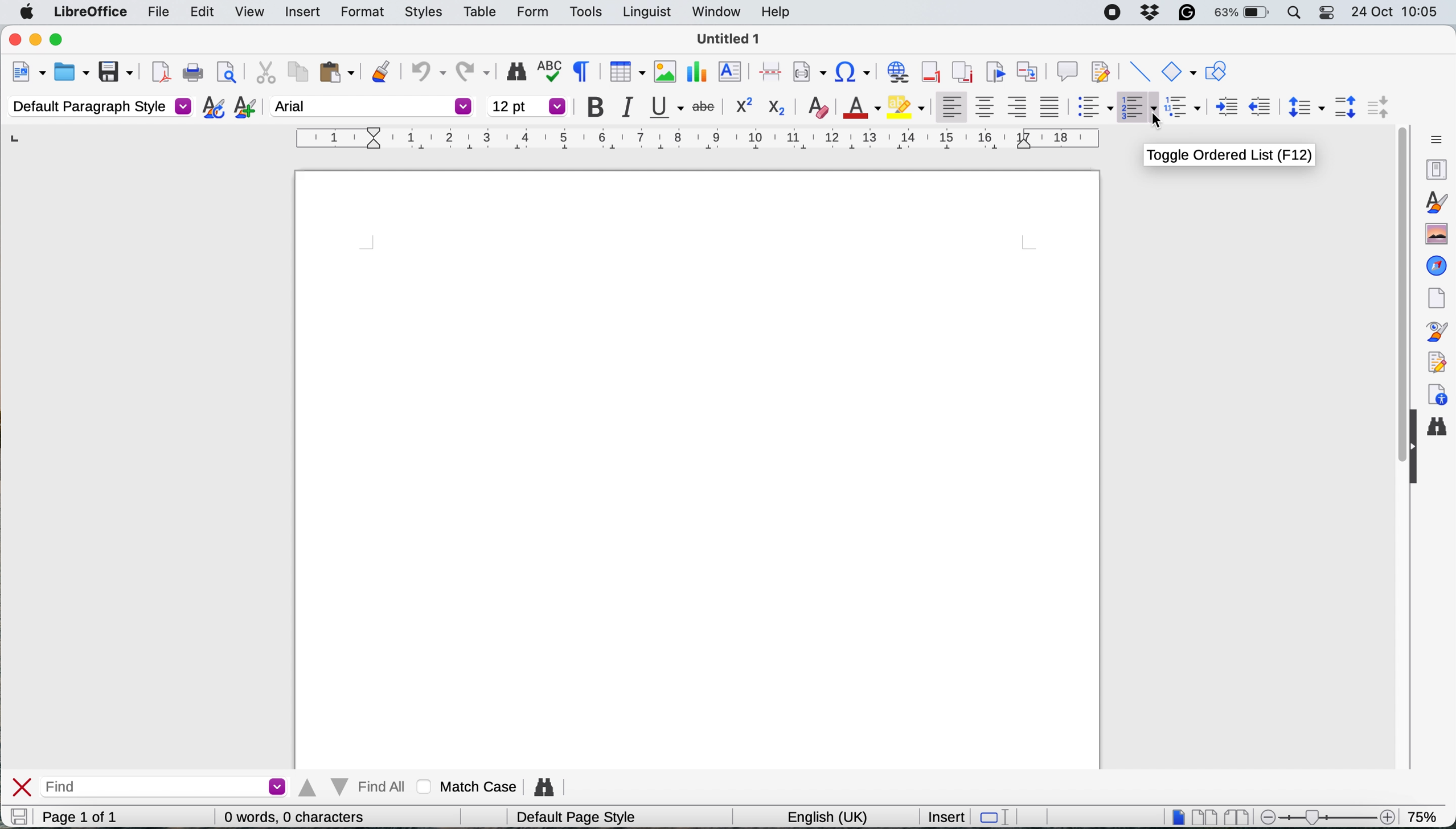  What do you see at coordinates (13, 40) in the screenshot?
I see `close` at bounding box center [13, 40].